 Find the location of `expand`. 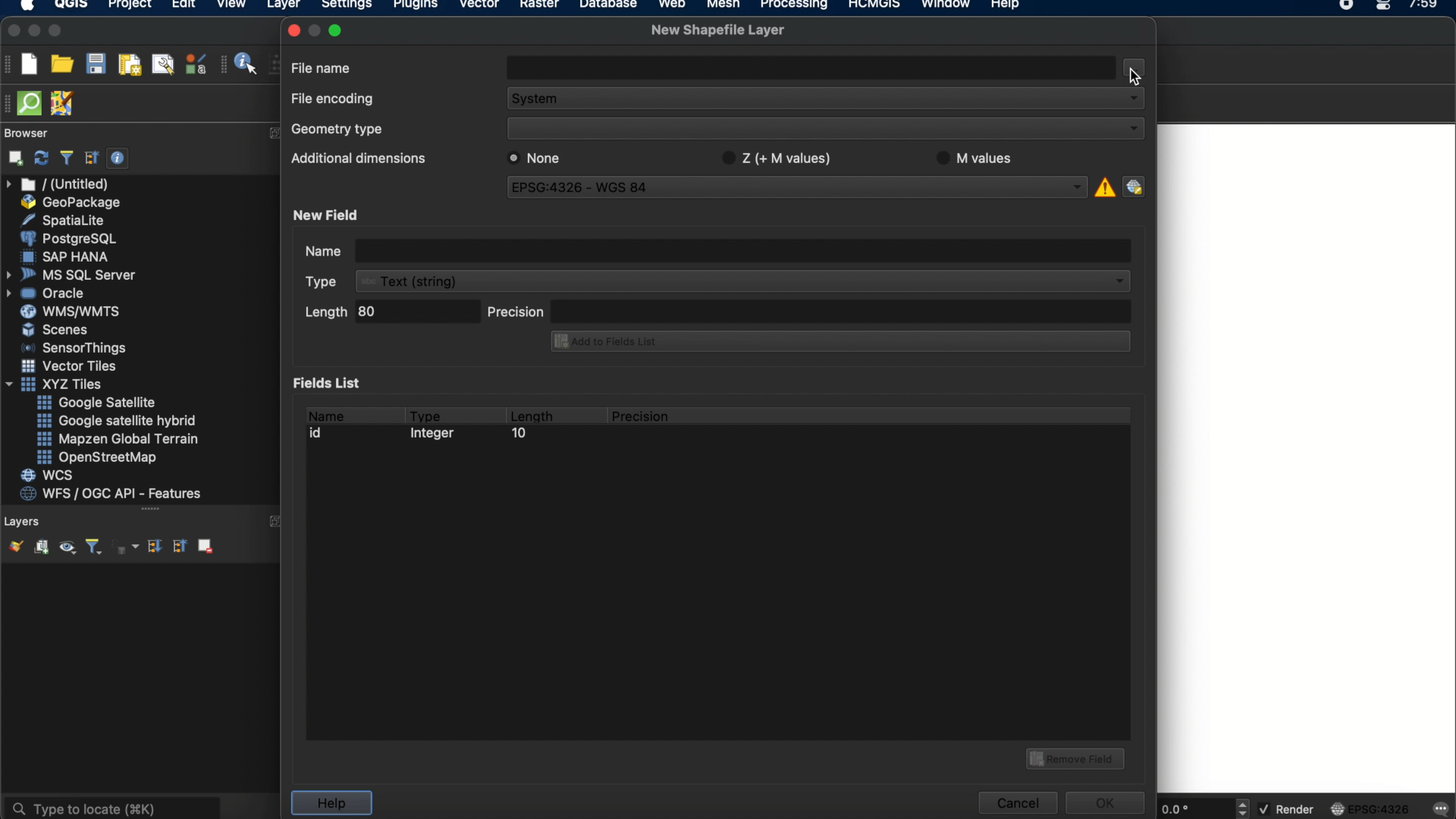

expand is located at coordinates (271, 134).